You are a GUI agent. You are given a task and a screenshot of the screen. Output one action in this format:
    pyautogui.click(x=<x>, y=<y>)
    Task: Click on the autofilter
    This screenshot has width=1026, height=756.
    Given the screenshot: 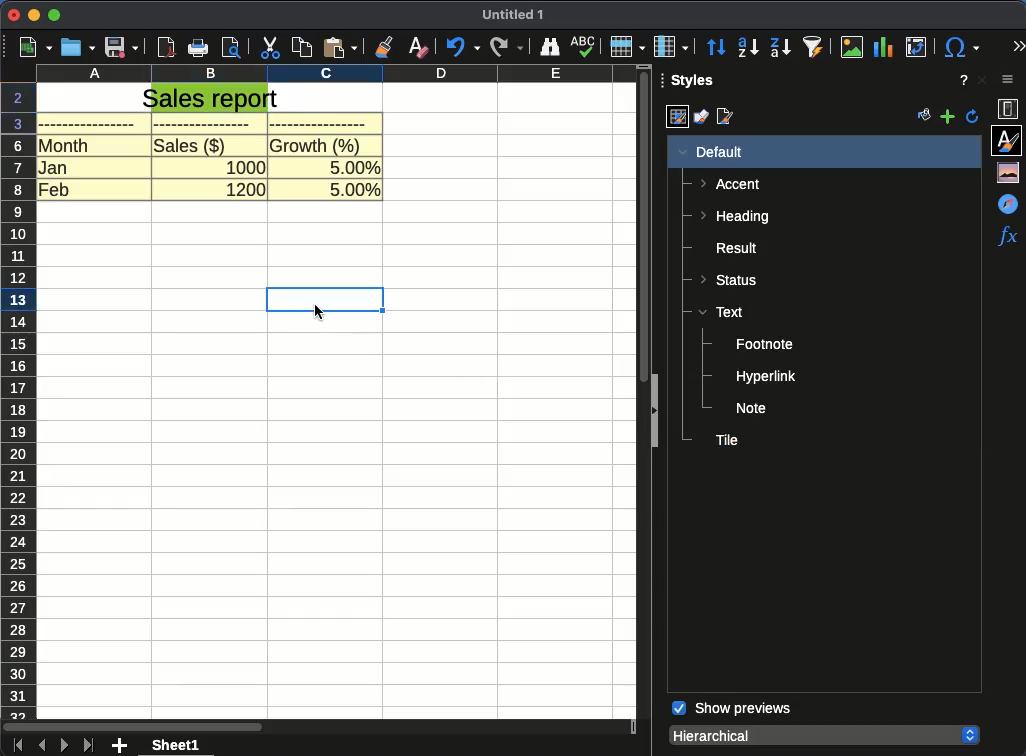 What is the action you would take?
    pyautogui.click(x=814, y=46)
    